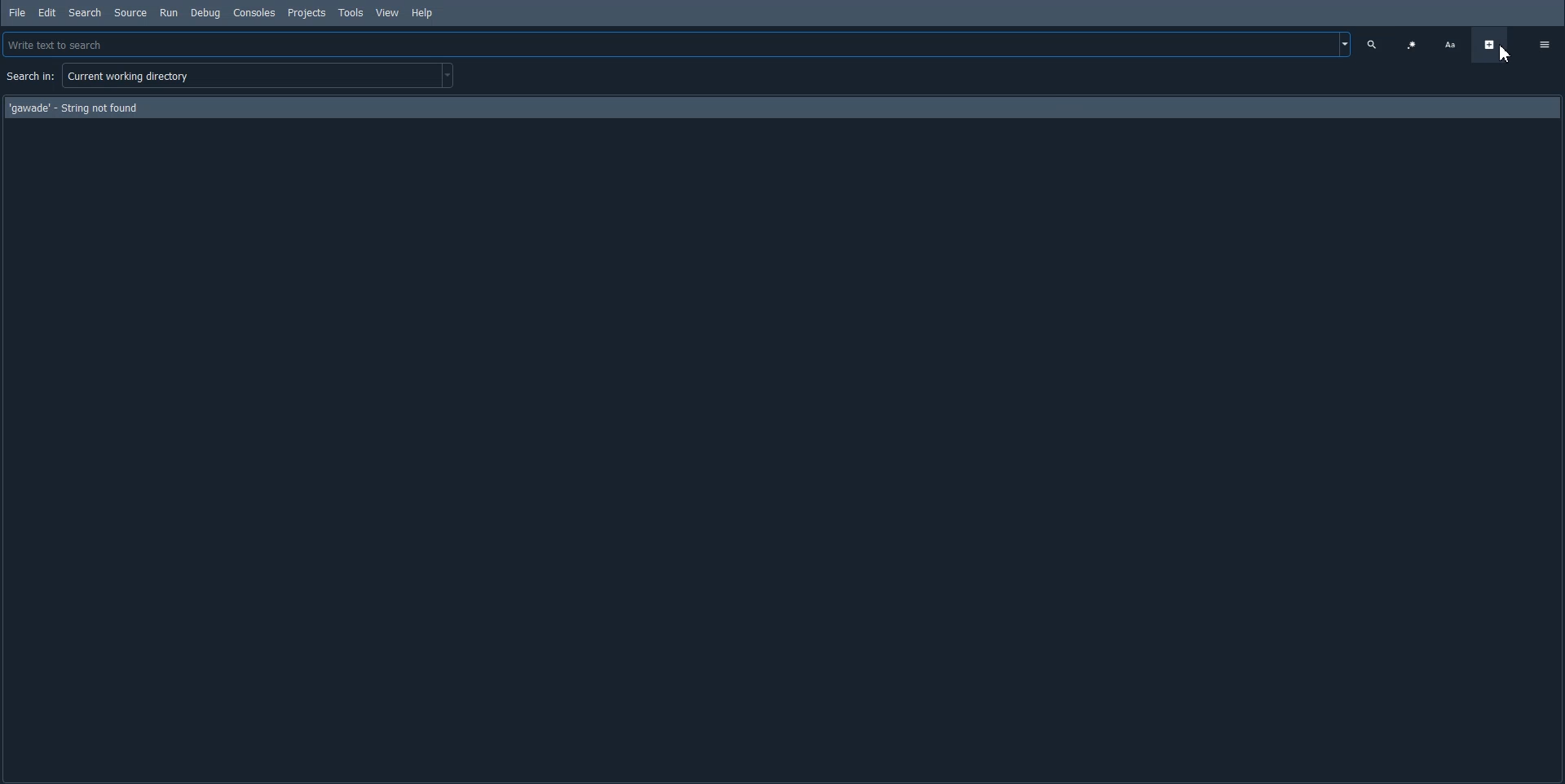  Describe the element at coordinates (351, 13) in the screenshot. I see `Tools` at that location.